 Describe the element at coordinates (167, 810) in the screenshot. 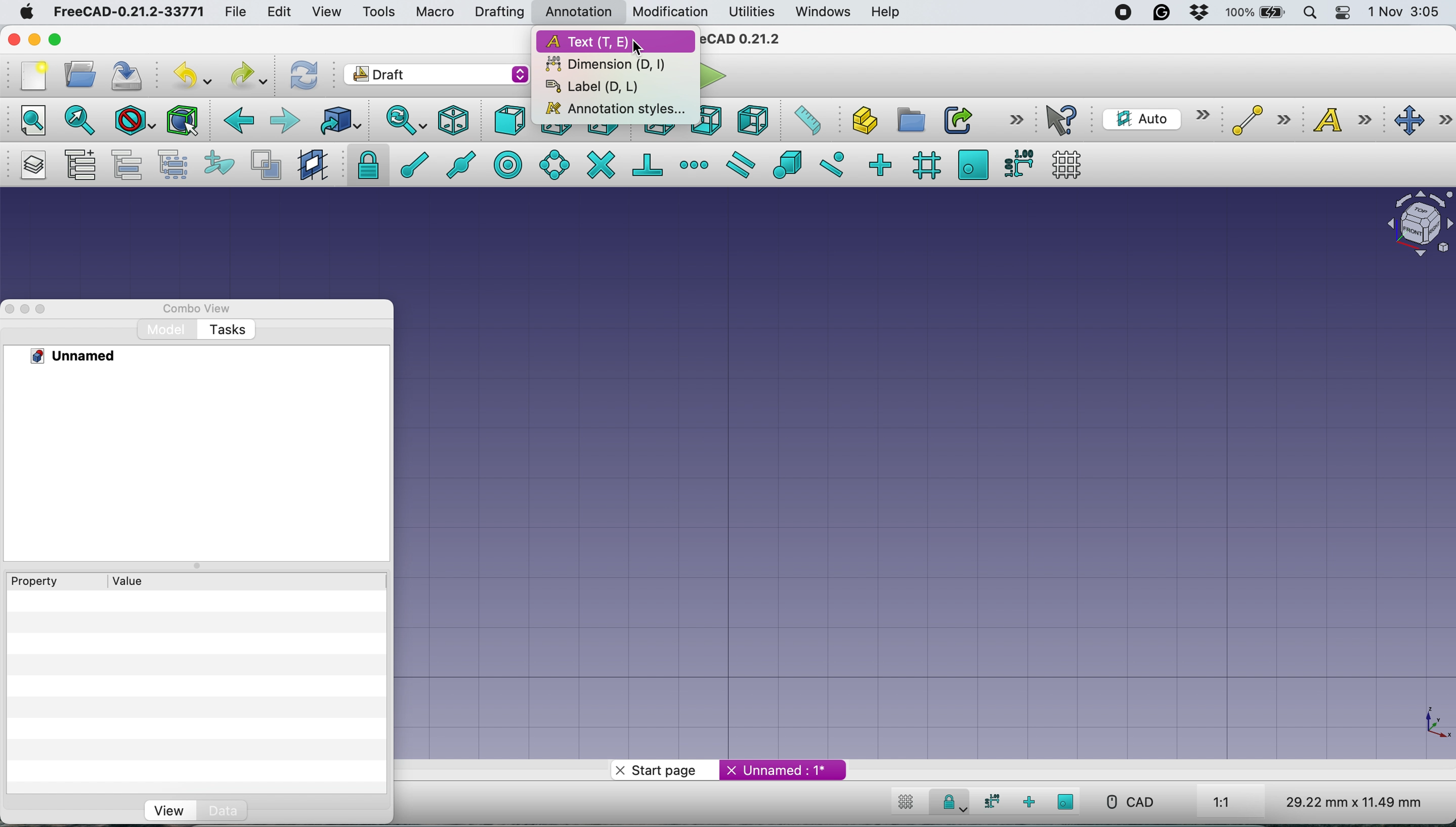

I see `view` at that location.